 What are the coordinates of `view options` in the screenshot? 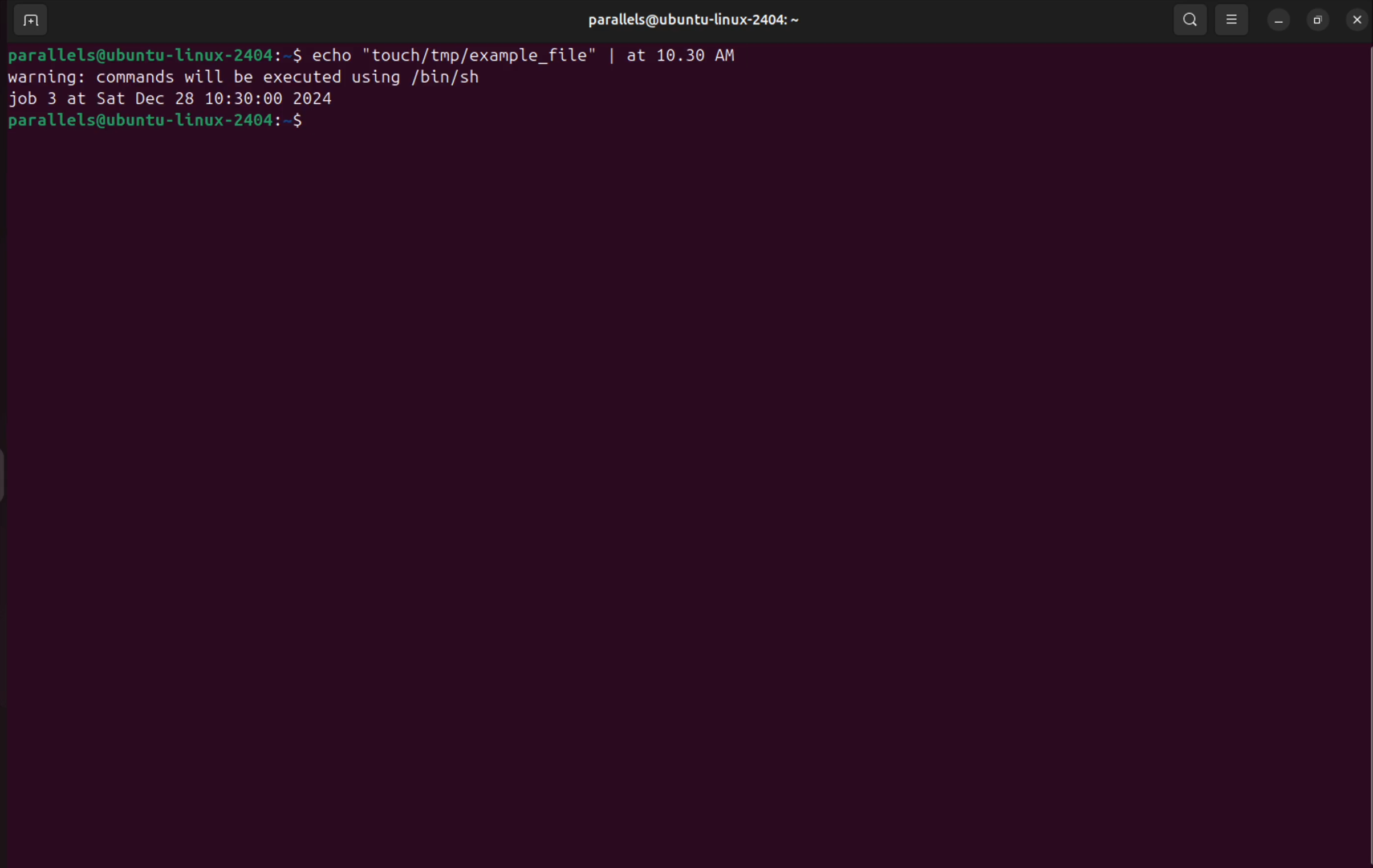 It's located at (1234, 21).